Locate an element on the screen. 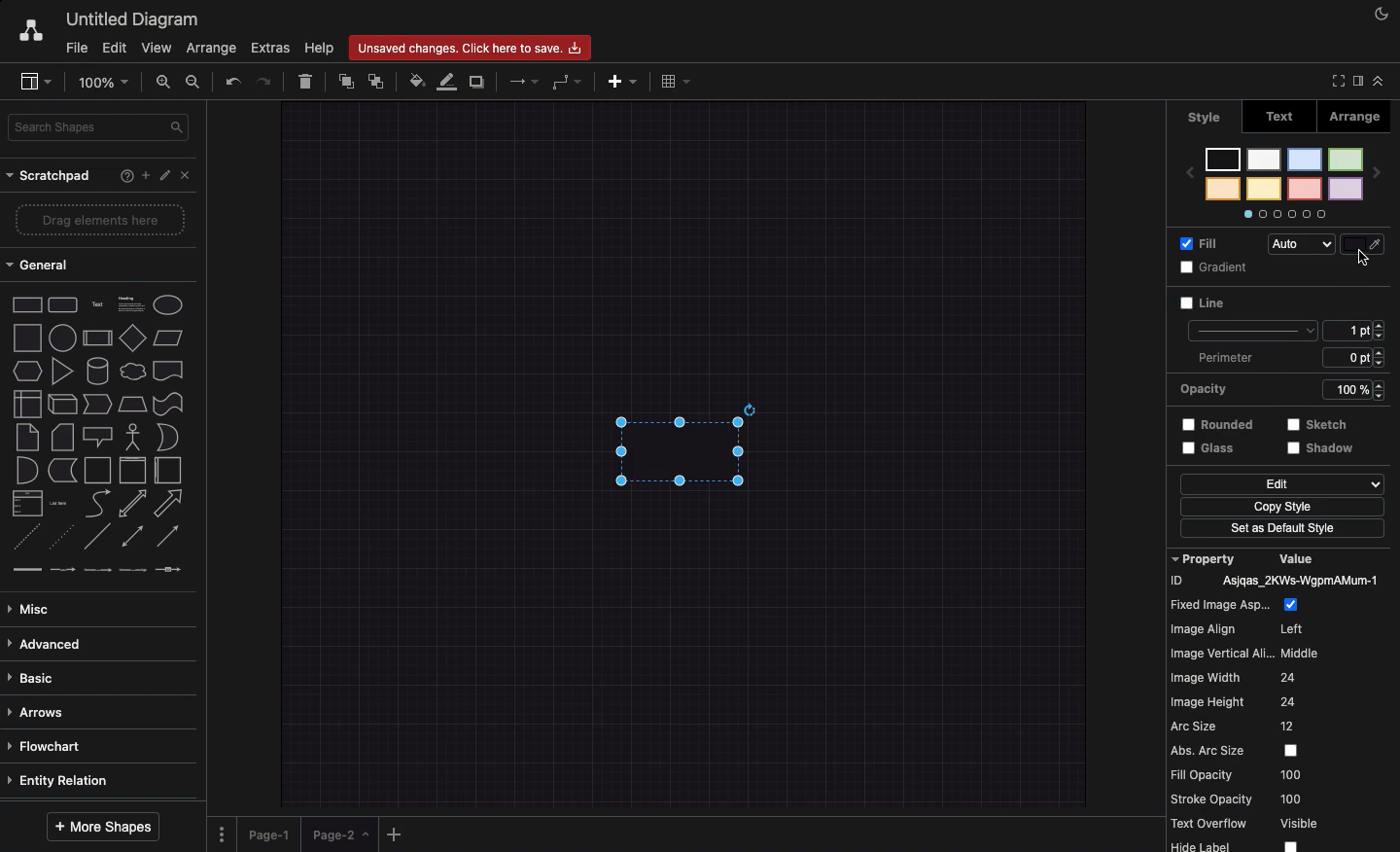  Sidebar is located at coordinates (1356, 80).